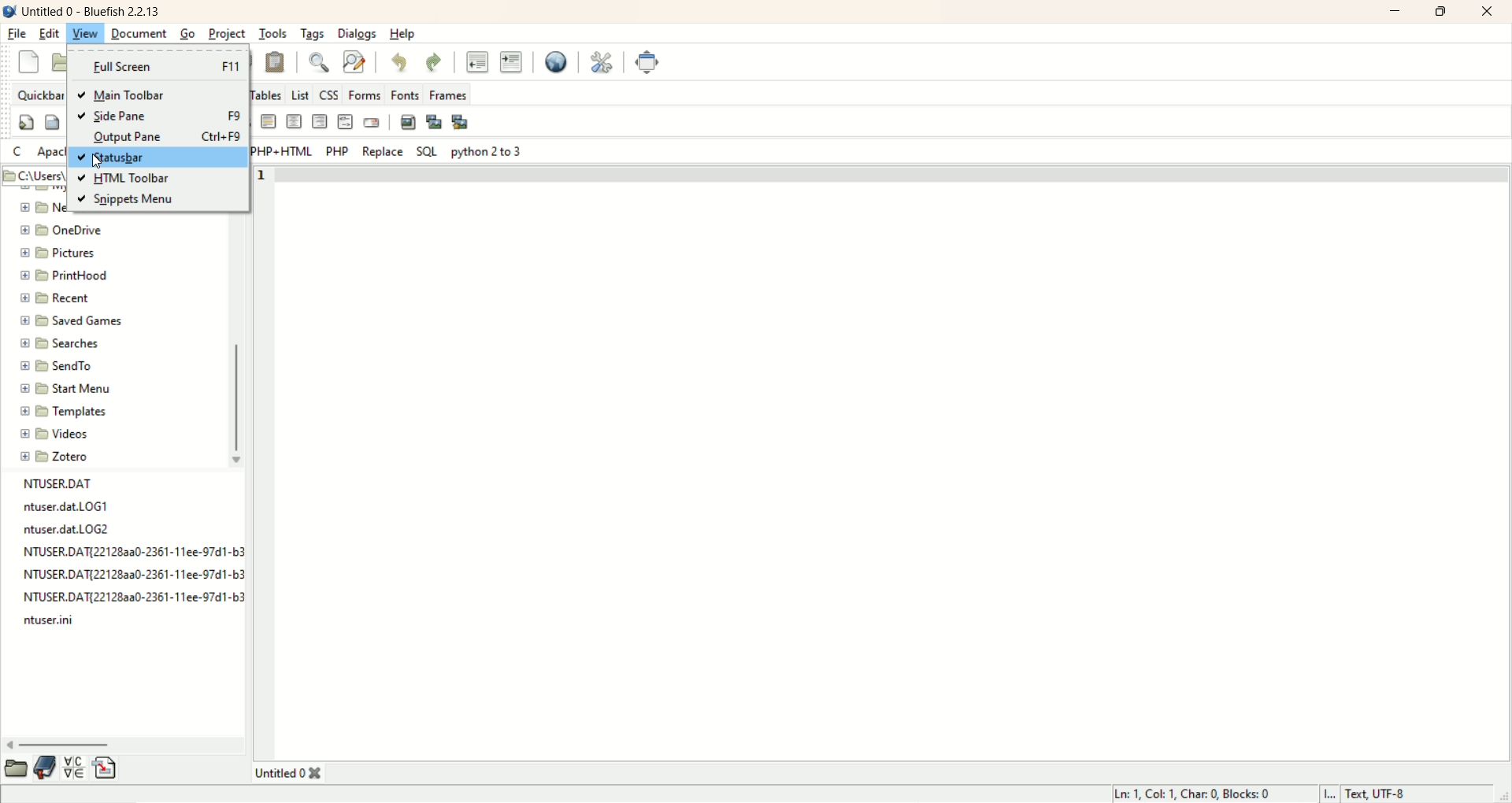 The image size is (1512, 803). I want to click on body, so click(51, 122).